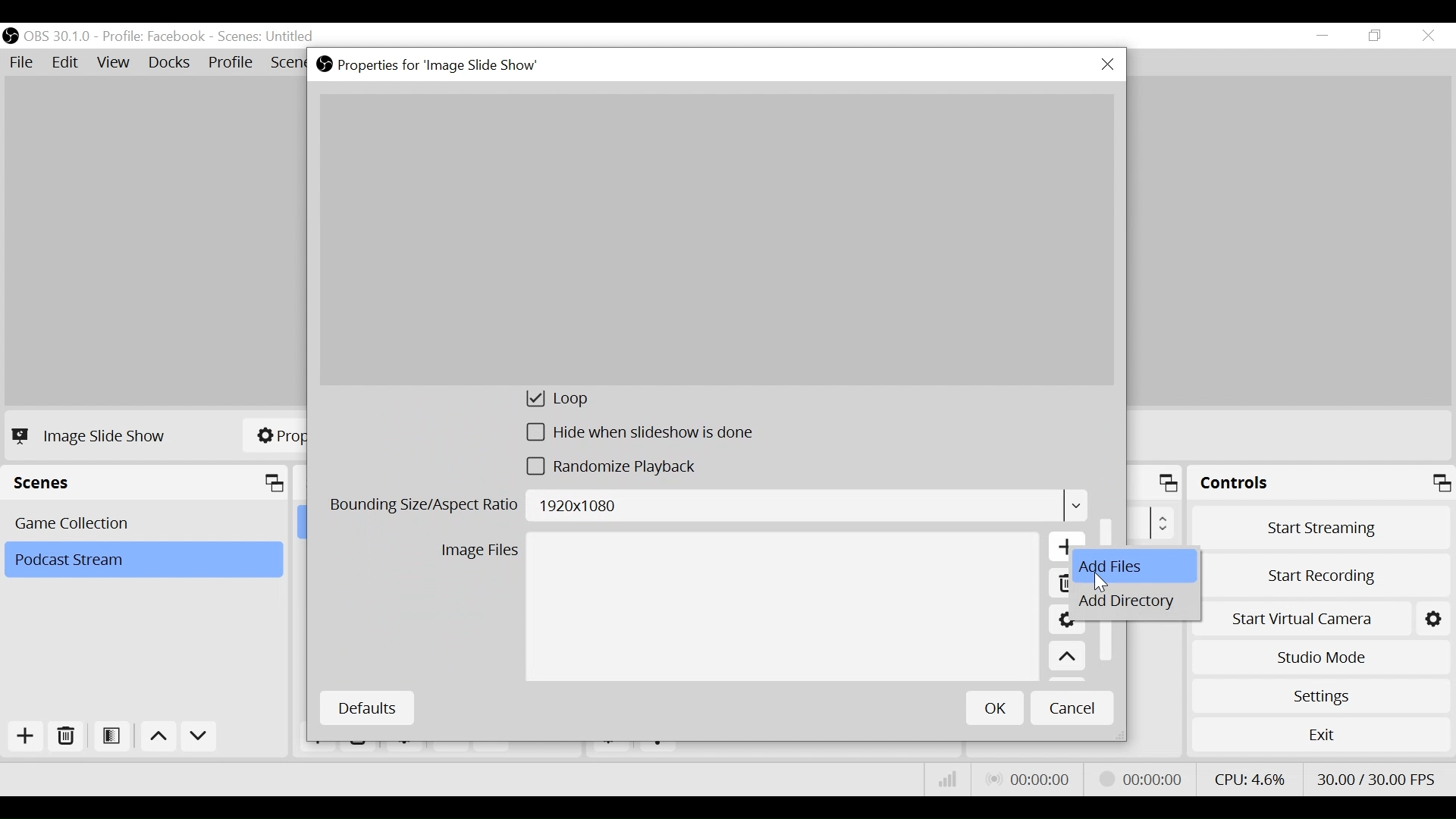  What do you see at coordinates (93, 435) in the screenshot?
I see `Image Slide Show` at bounding box center [93, 435].